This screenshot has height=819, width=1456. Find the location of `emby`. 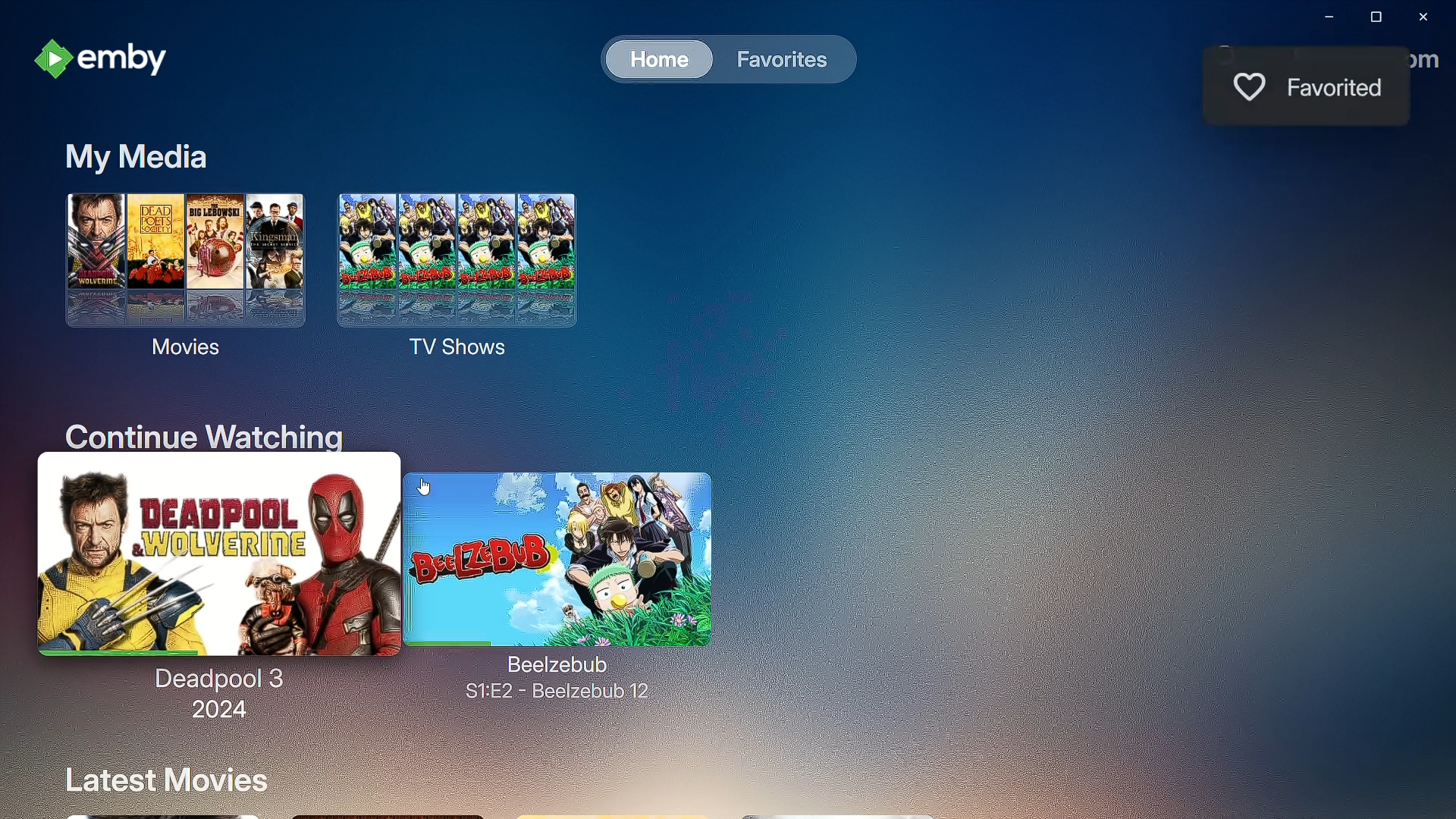

emby is located at coordinates (102, 61).